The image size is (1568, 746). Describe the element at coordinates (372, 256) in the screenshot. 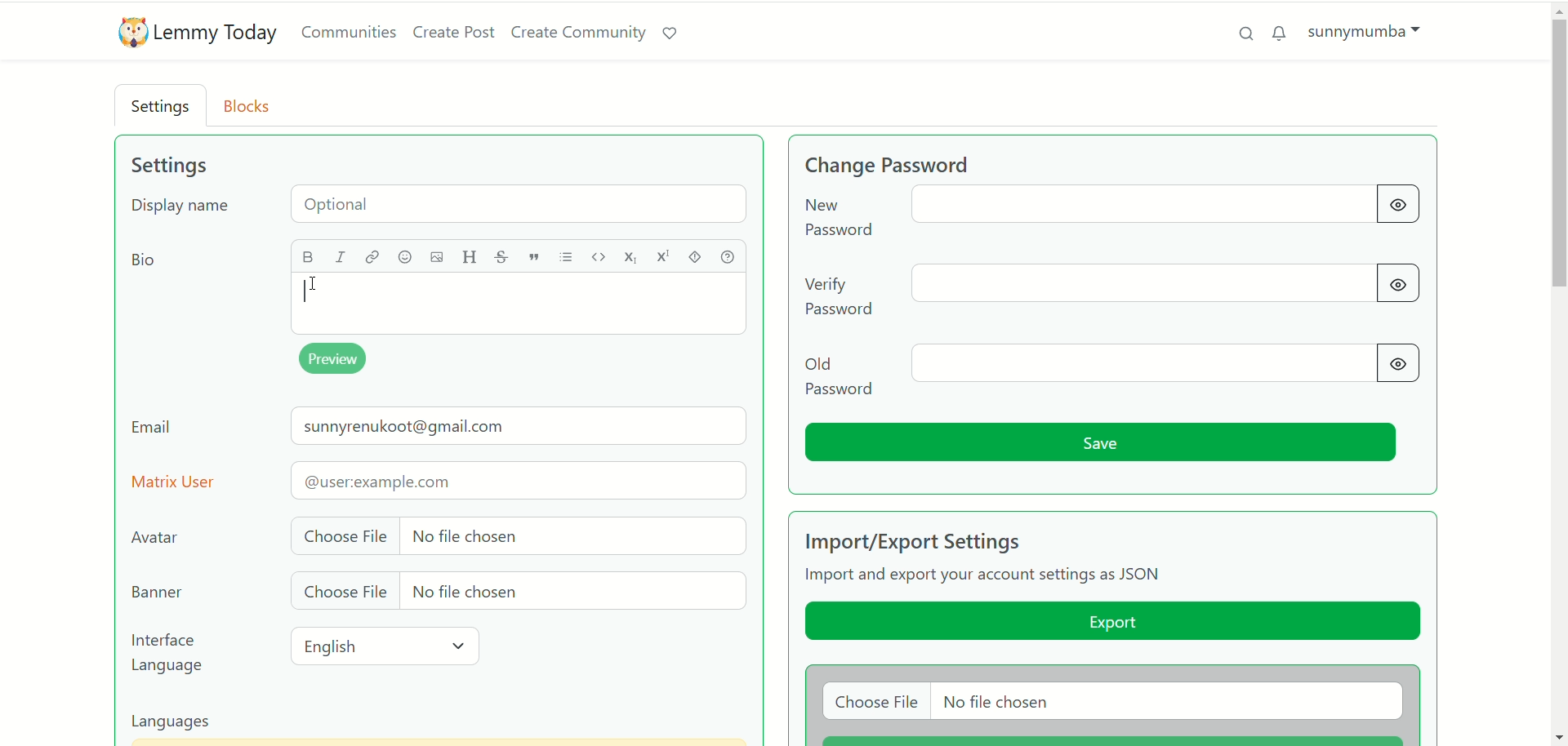

I see `link` at that location.